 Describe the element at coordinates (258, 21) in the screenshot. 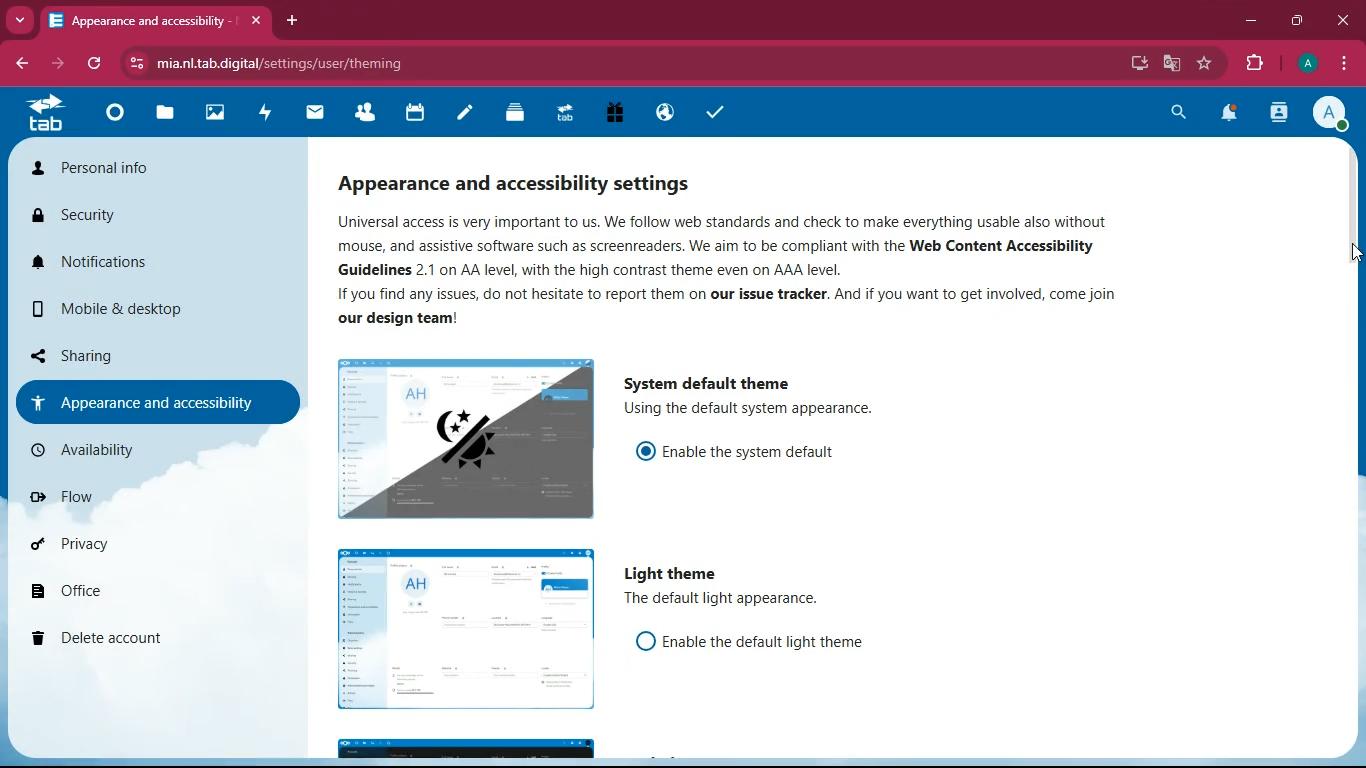

I see `close` at that location.